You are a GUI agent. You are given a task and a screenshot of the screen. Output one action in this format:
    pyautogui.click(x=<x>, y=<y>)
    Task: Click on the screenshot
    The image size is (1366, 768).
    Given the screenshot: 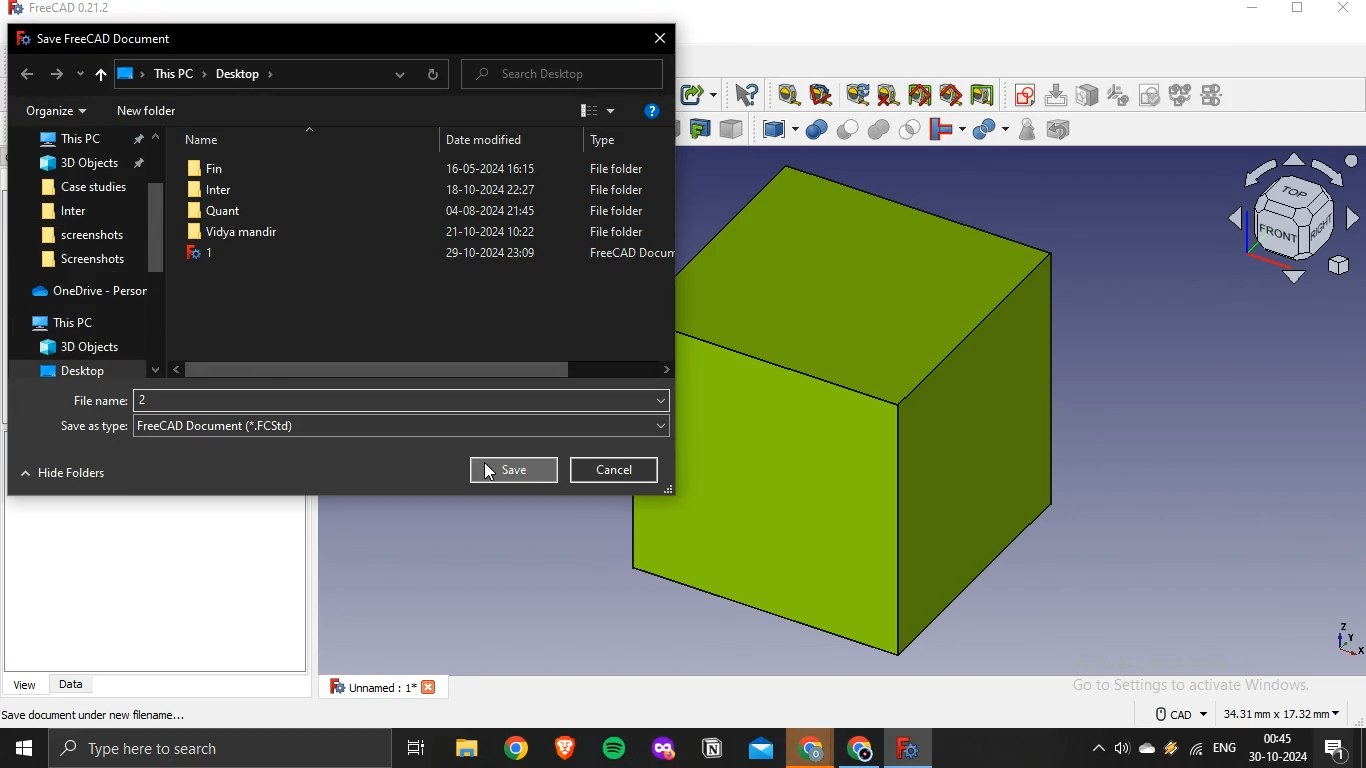 What is the action you would take?
    pyautogui.click(x=76, y=259)
    